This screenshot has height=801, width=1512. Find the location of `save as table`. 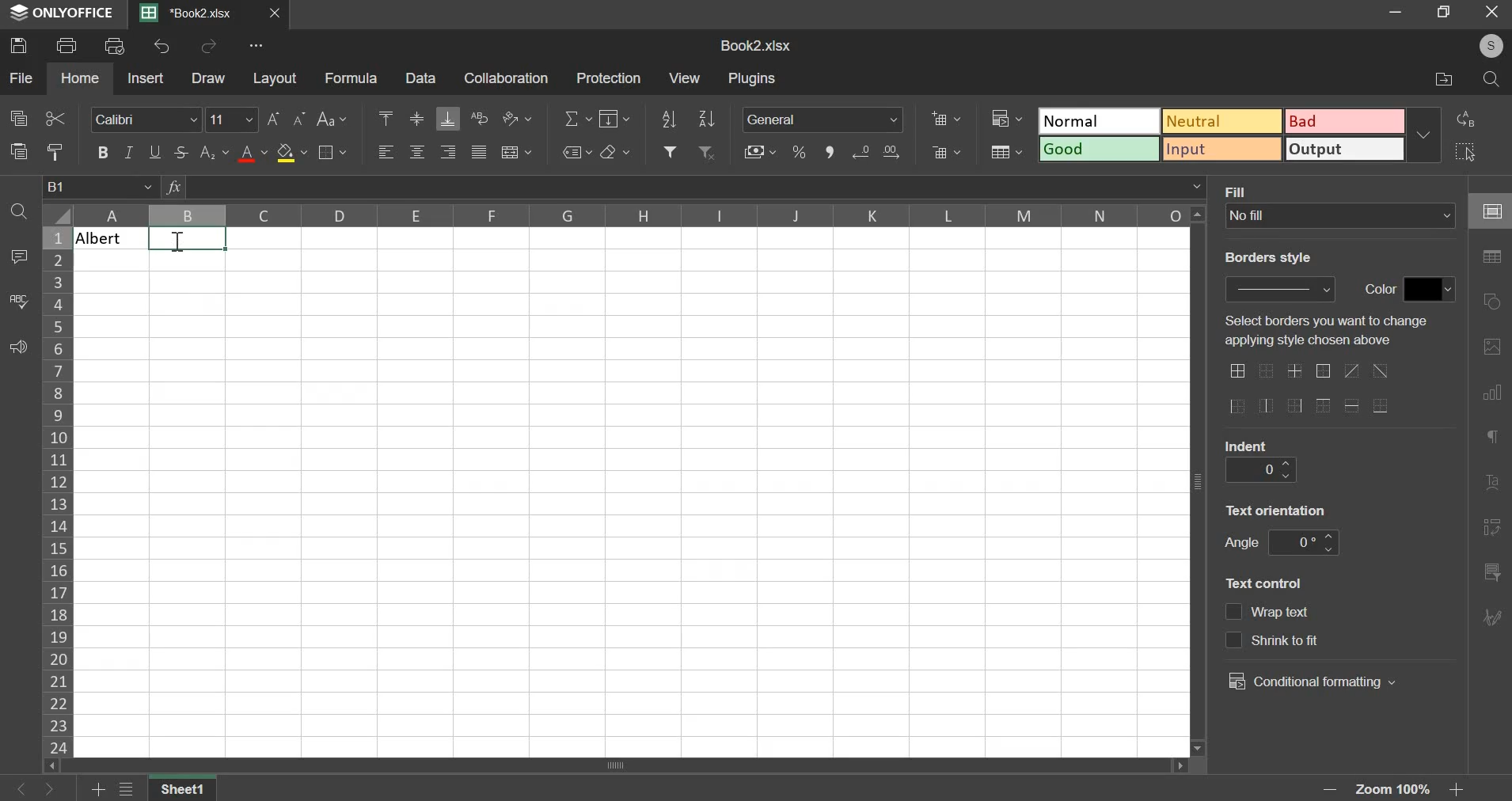

save as table is located at coordinates (1006, 152).